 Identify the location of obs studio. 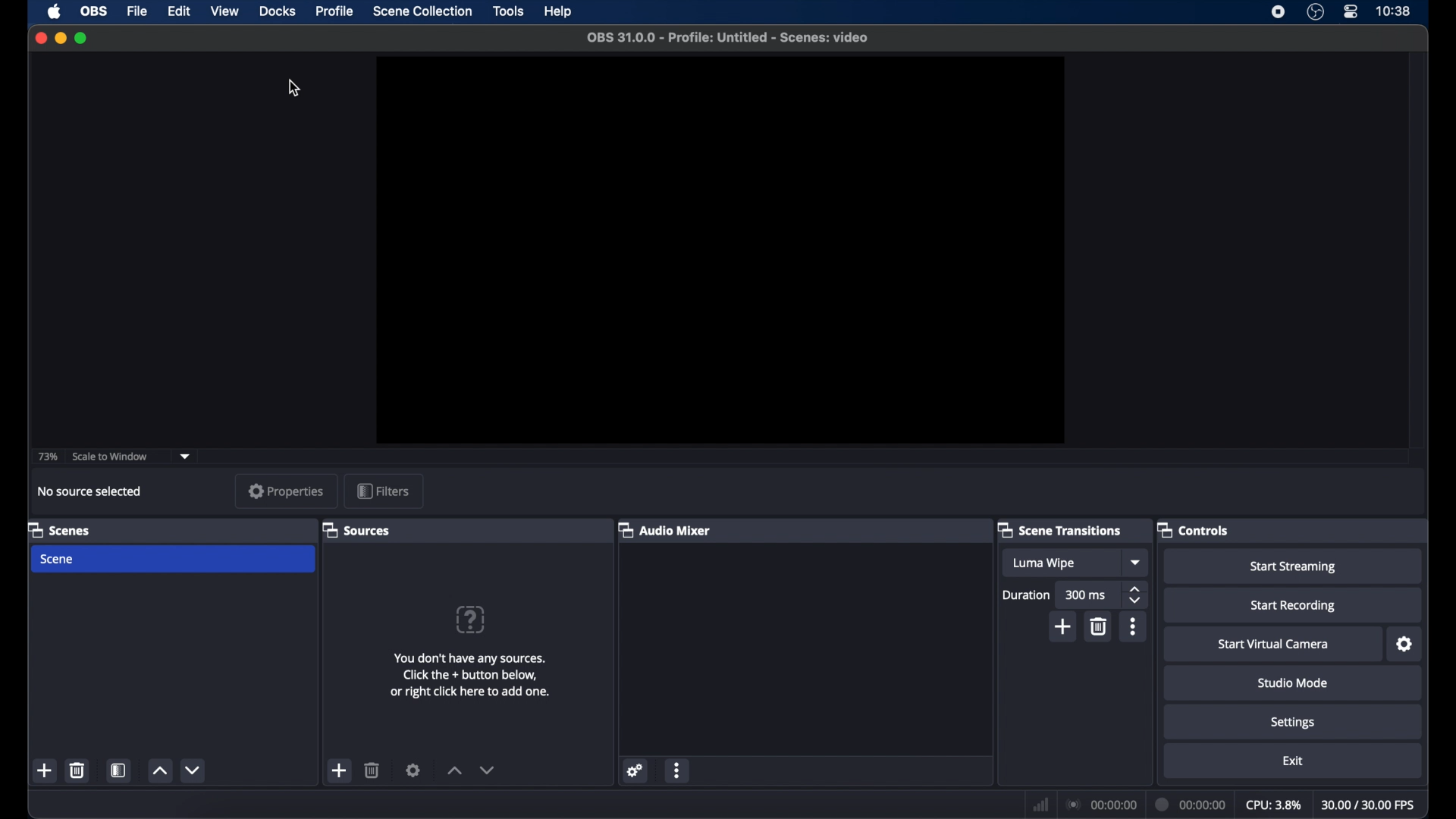
(1315, 12).